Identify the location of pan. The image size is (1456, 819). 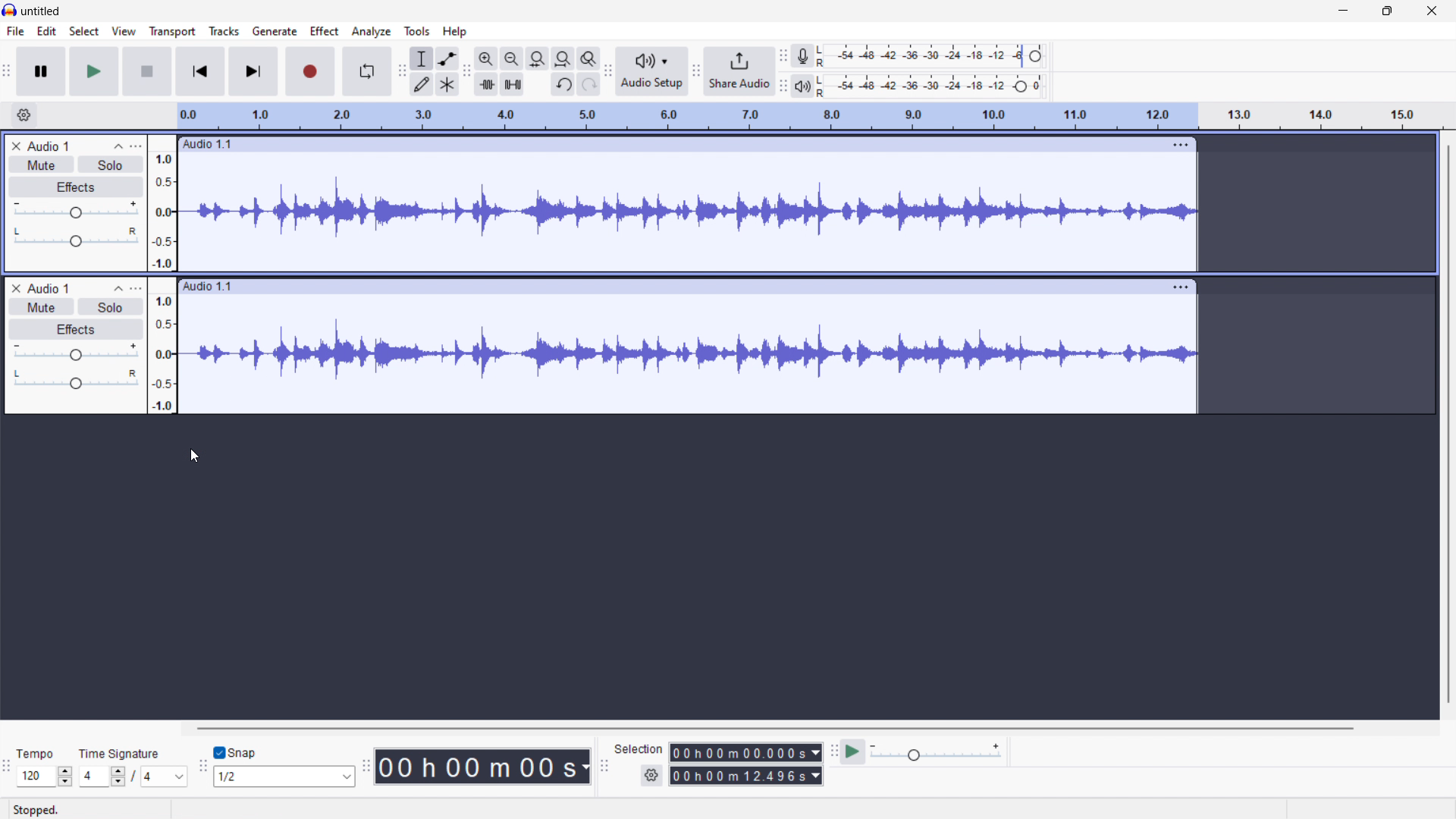
(75, 378).